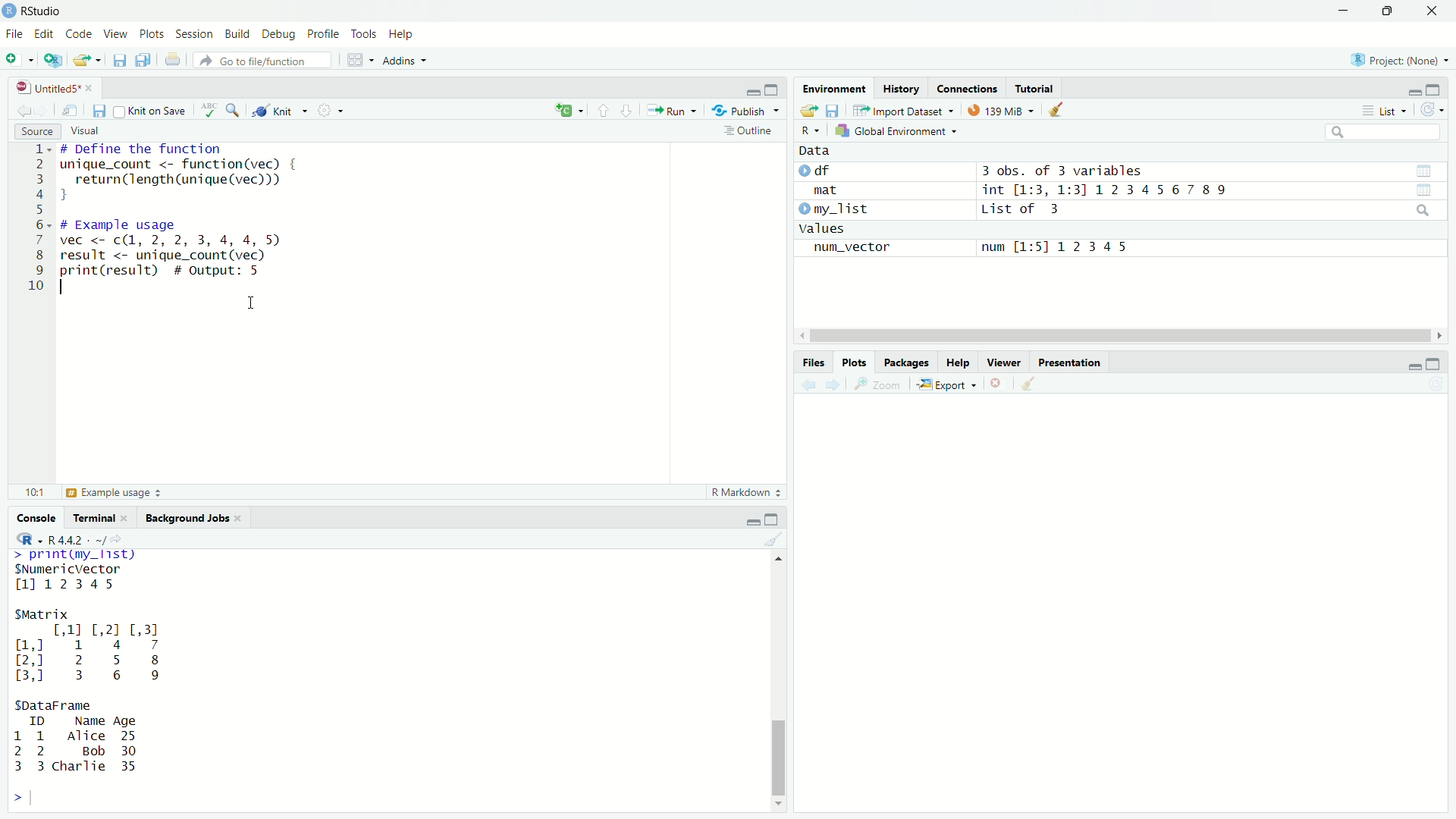  Describe the element at coordinates (280, 34) in the screenshot. I see `Debug` at that location.